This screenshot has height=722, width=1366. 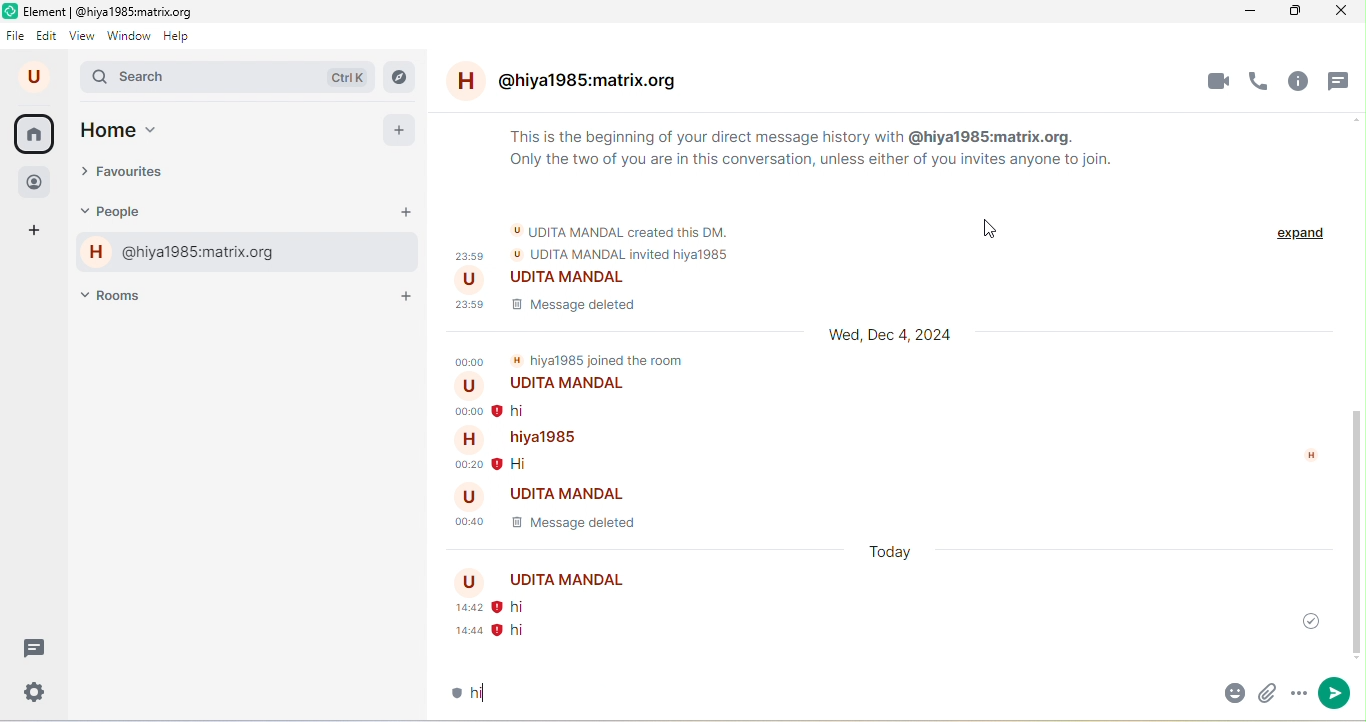 What do you see at coordinates (37, 77) in the screenshot?
I see `u` at bounding box center [37, 77].